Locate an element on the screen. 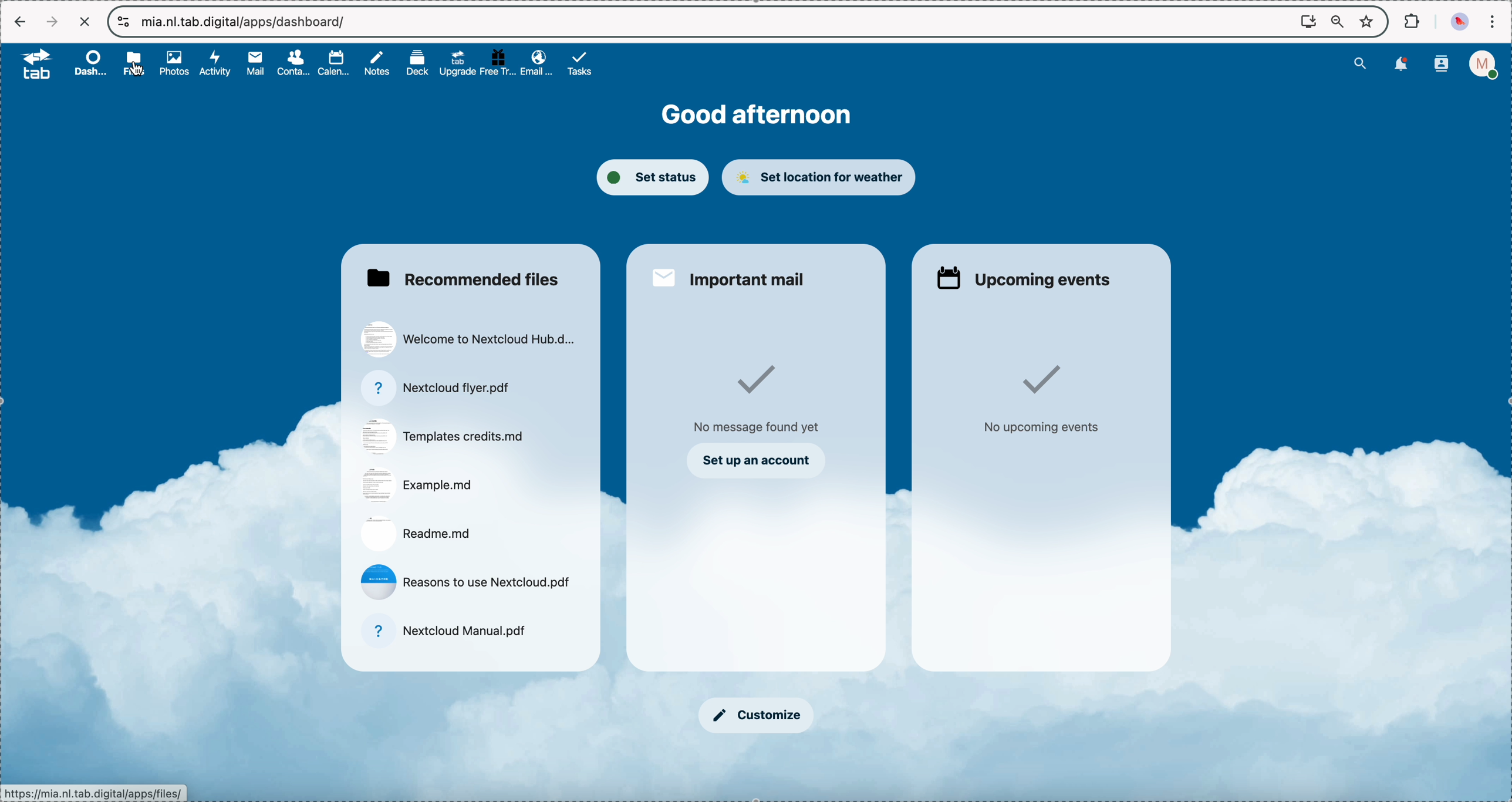 The image size is (1512, 802). navigate foward is located at coordinates (52, 22).